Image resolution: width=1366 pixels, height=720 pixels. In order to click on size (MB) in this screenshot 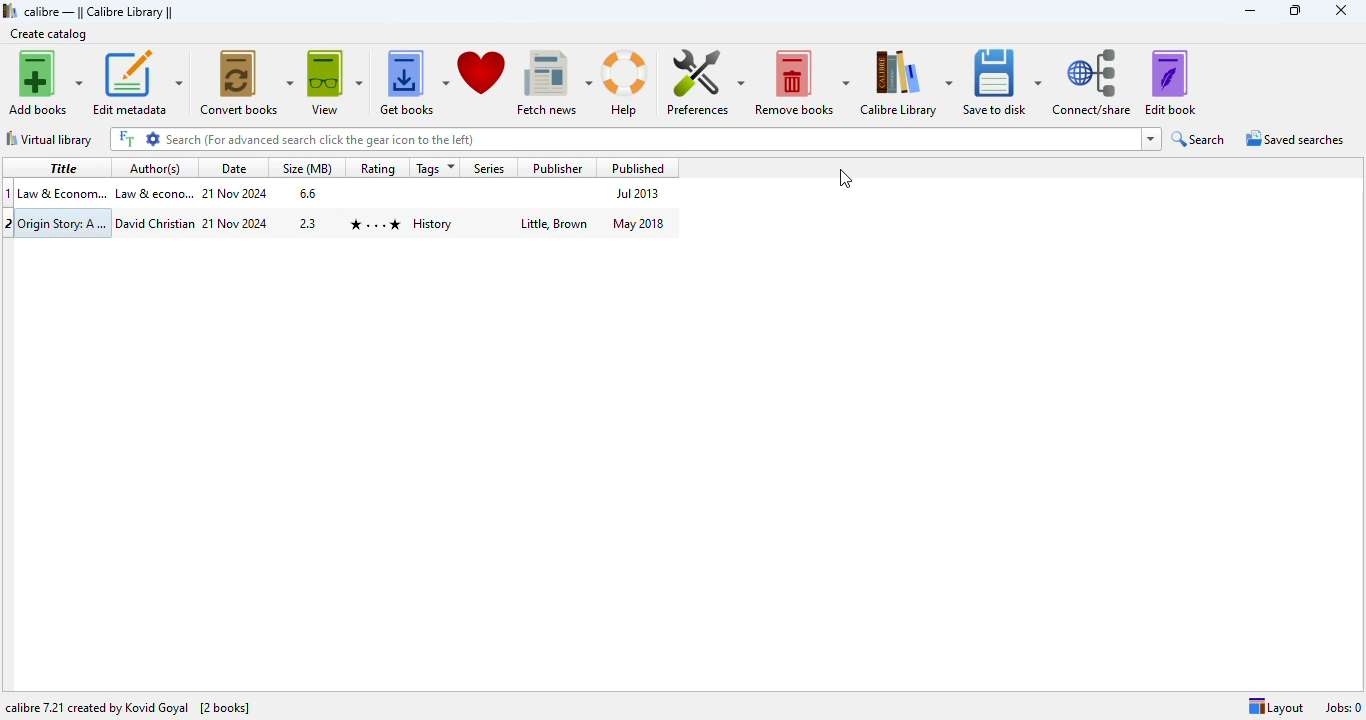, I will do `click(306, 166)`.